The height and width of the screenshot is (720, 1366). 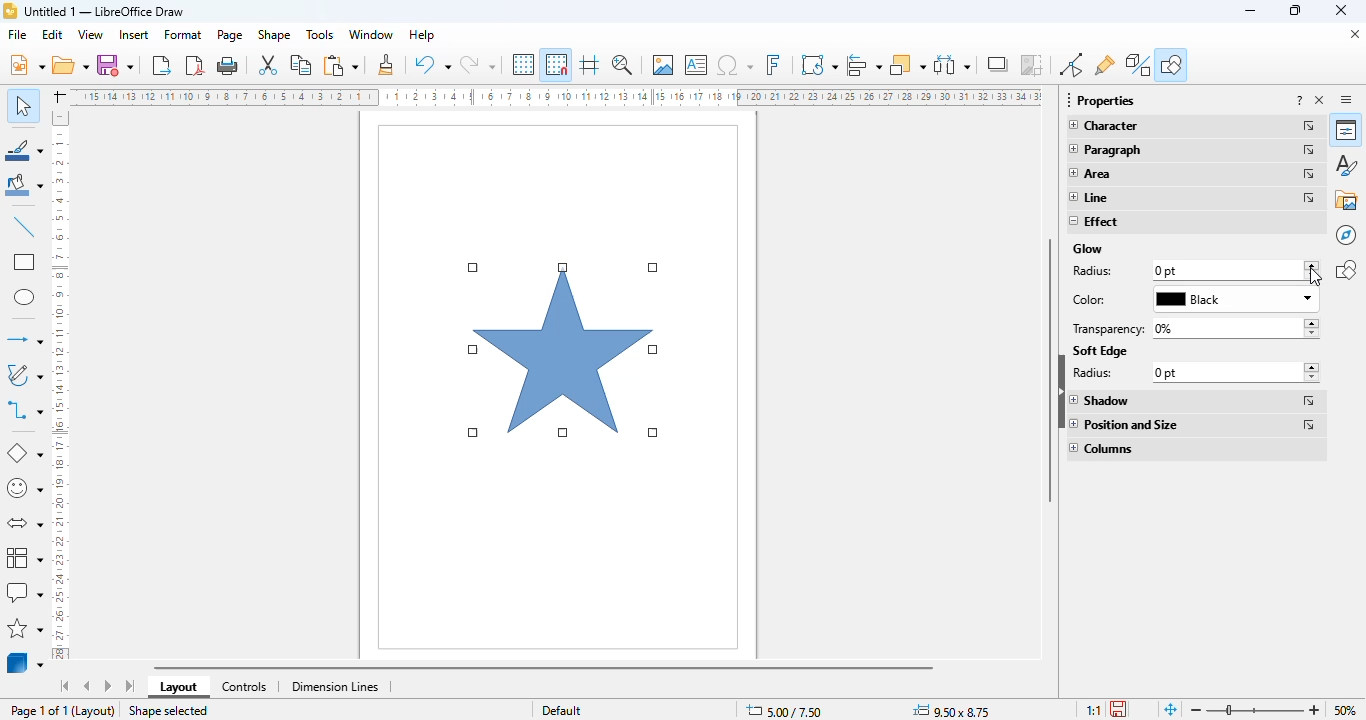 I want to click on close, so click(x=1342, y=11).